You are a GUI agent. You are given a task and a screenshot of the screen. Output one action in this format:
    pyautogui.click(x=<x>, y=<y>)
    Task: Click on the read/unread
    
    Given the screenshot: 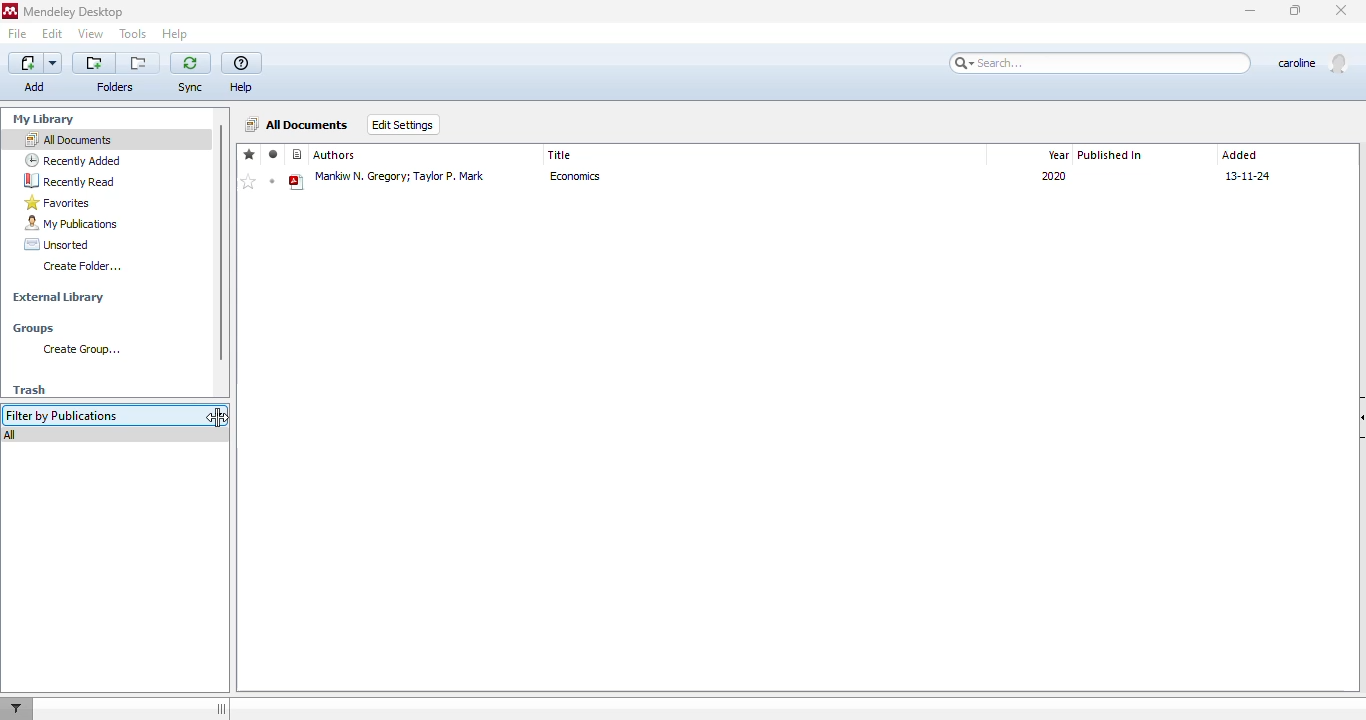 What is the action you would take?
    pyautogui.click(x=273, y=154)
    